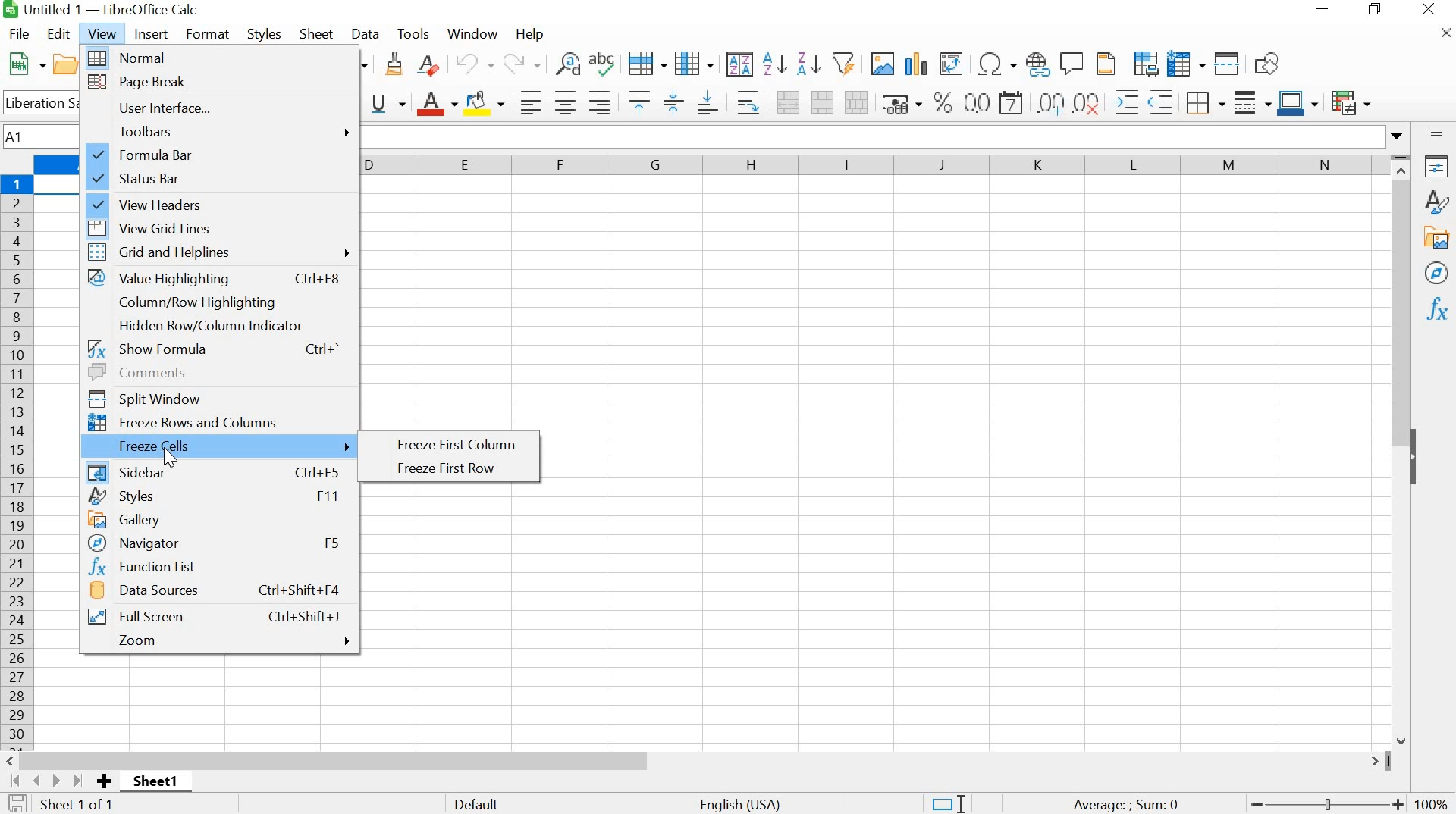 This screenshot has width=1456, height=814. What do you see at coordinates (222, 155) in the screenshot?
I see `FORMULA BAR` at bounding box center [222, 155].